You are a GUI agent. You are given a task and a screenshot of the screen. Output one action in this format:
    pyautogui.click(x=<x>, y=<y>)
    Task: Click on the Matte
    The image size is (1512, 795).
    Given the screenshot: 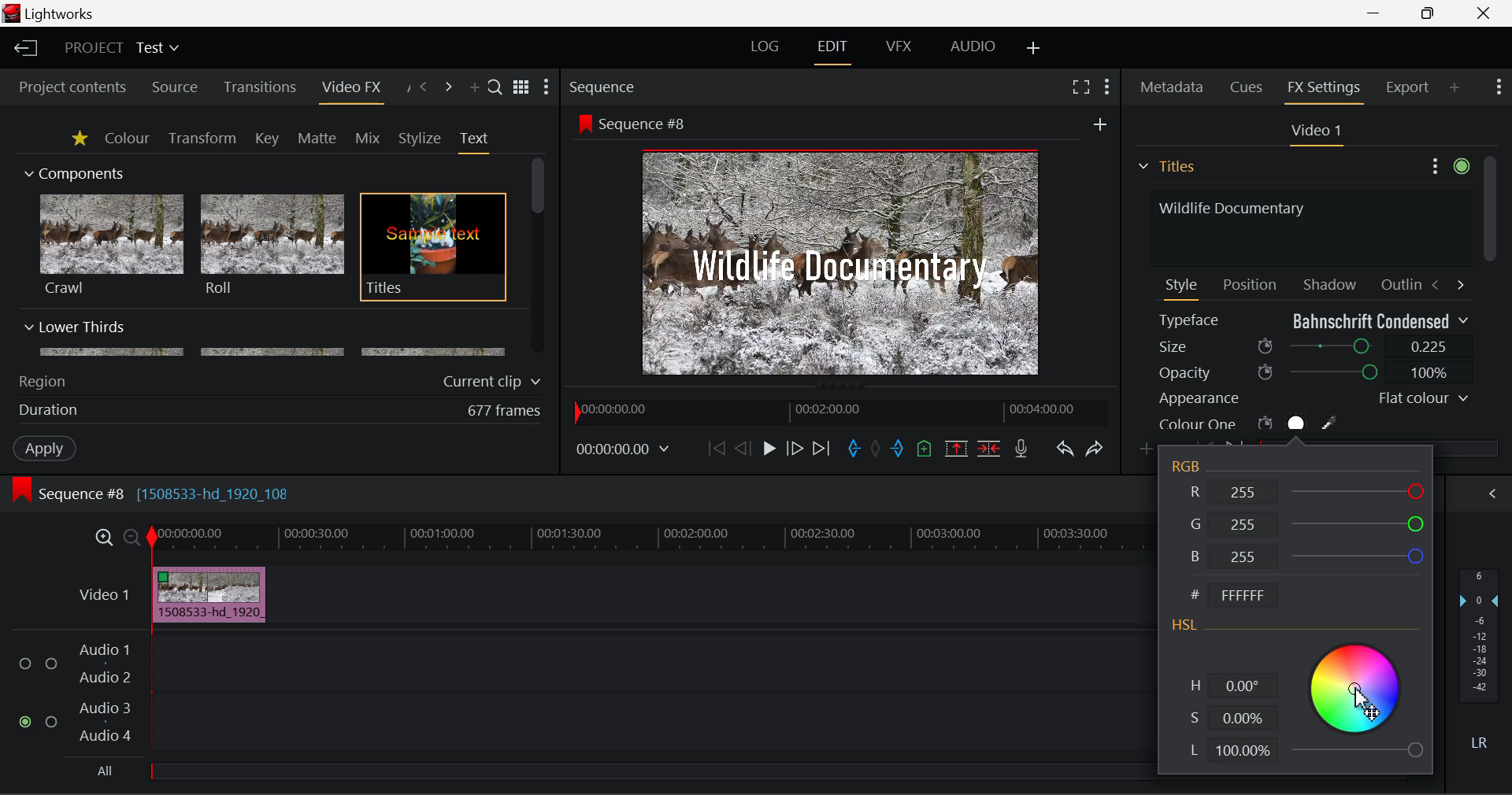 What is the action you would take?
    pyautogui.click(x=316, y=138)
    